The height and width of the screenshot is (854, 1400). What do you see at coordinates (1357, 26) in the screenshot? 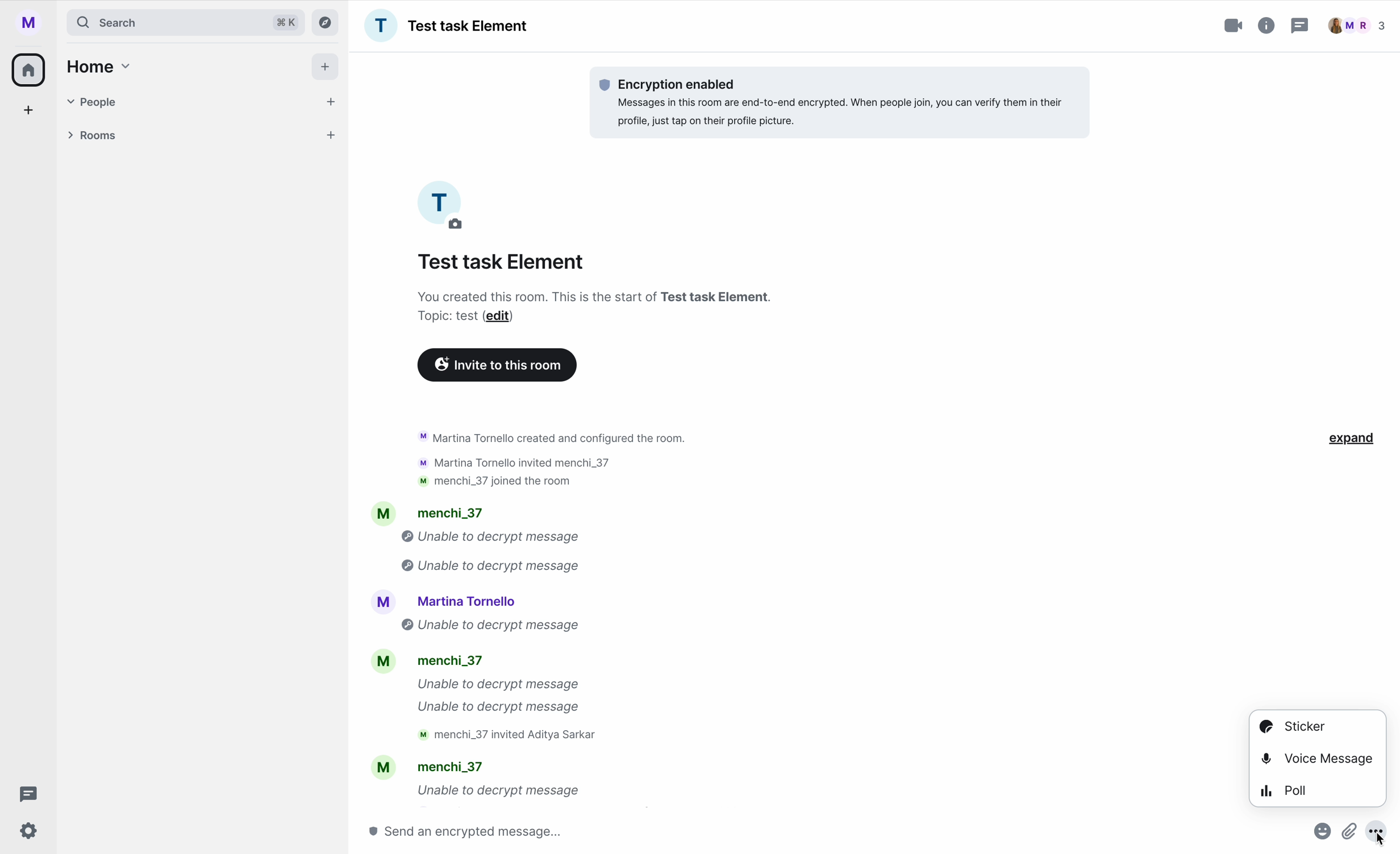
I see `people` at bounding box center [1357, 26].